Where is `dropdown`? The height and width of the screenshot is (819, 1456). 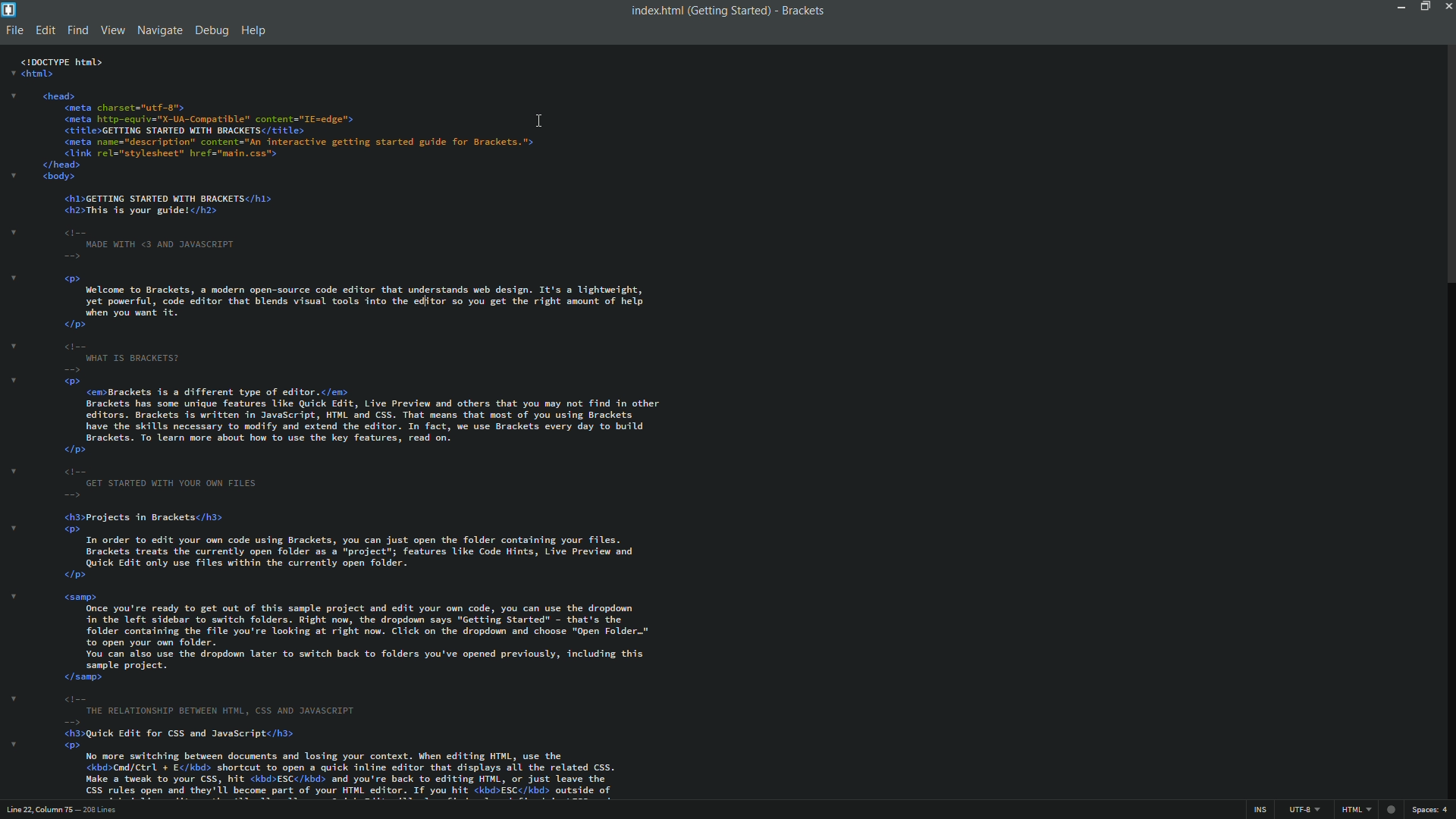 dropdown is located at coordinates (14, 596).